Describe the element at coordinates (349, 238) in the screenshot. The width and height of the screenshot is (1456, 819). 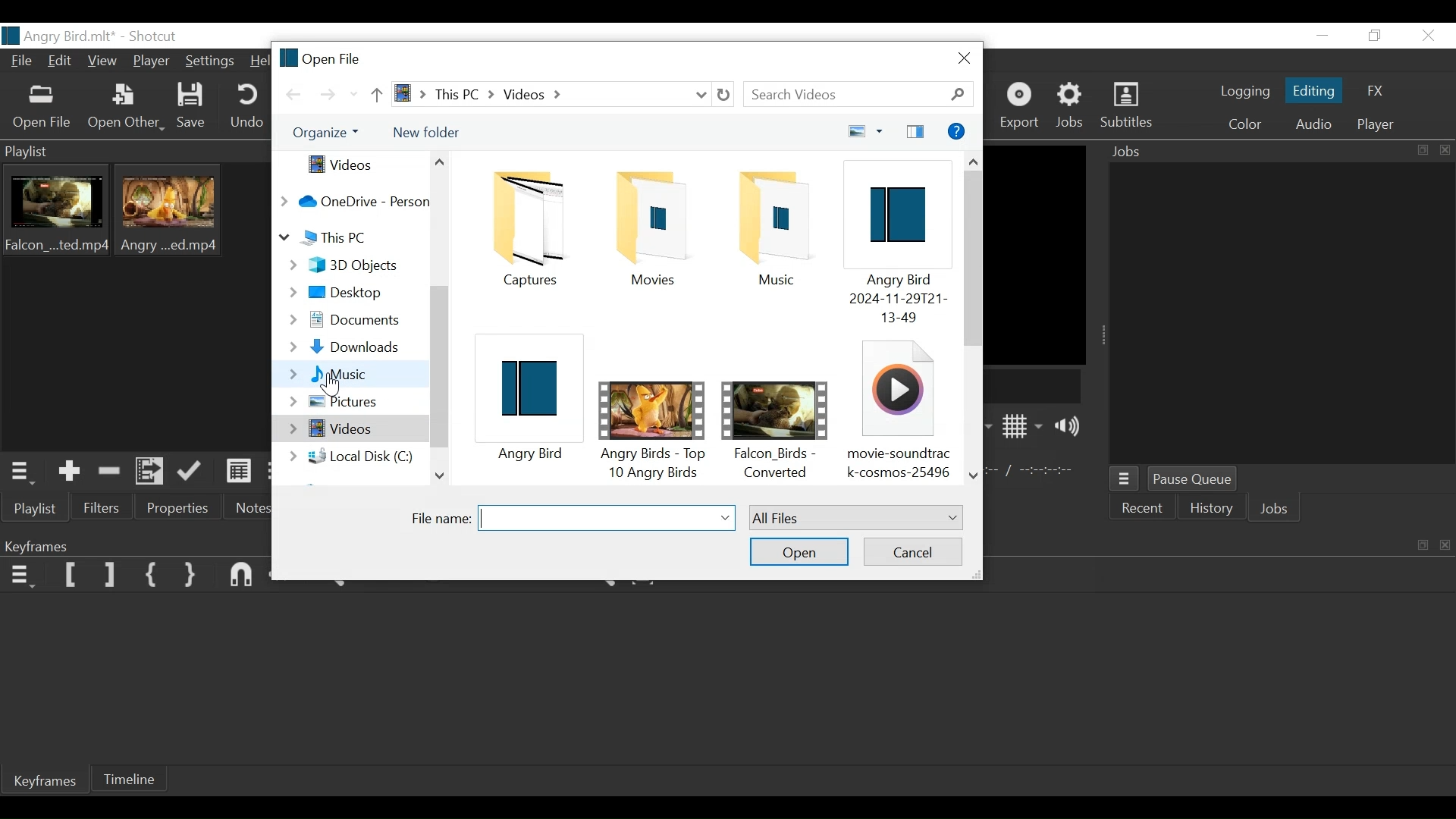
I see `This PC` at that location.